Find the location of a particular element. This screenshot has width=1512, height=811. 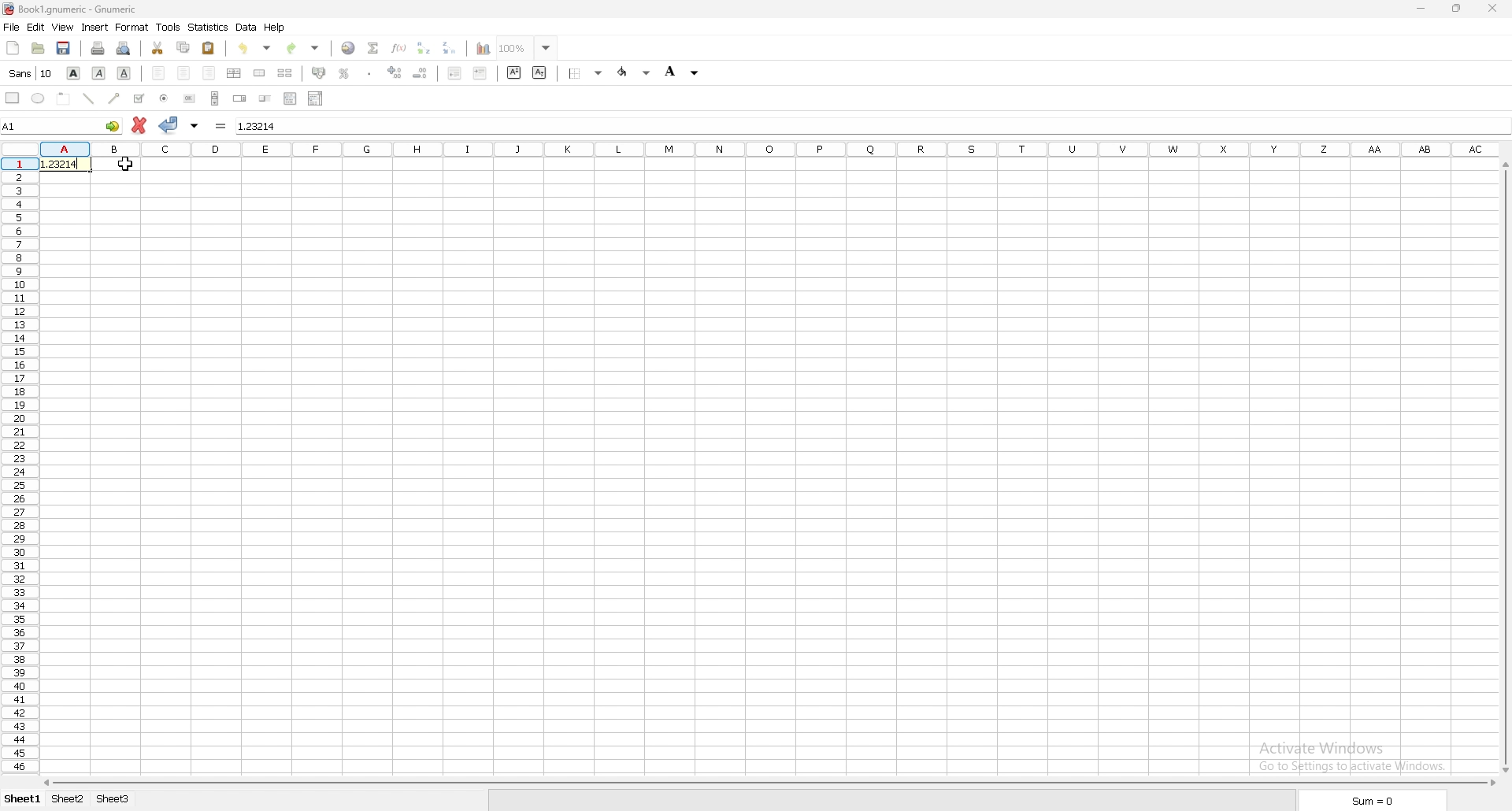

columns is located at coordinates (770, 146).